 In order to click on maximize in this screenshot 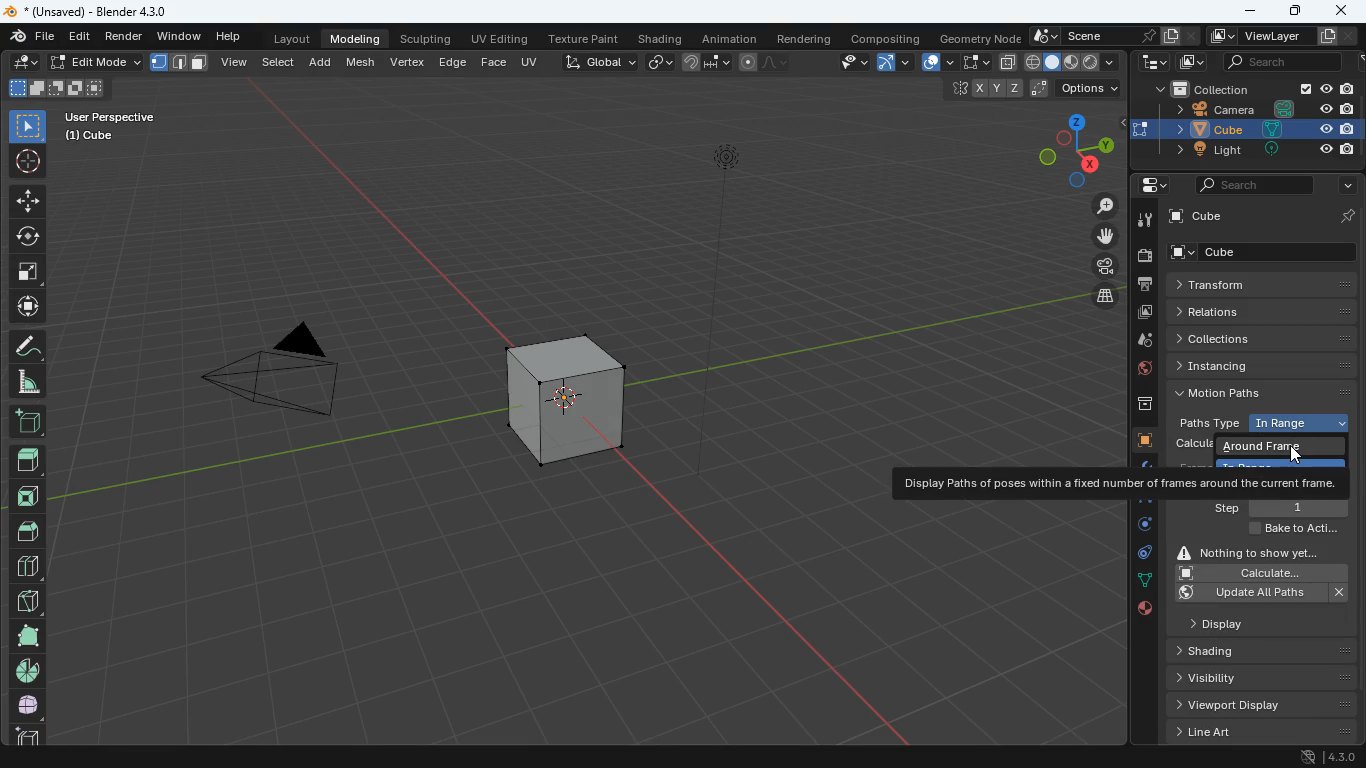, I will do `click(1292, 12)`.